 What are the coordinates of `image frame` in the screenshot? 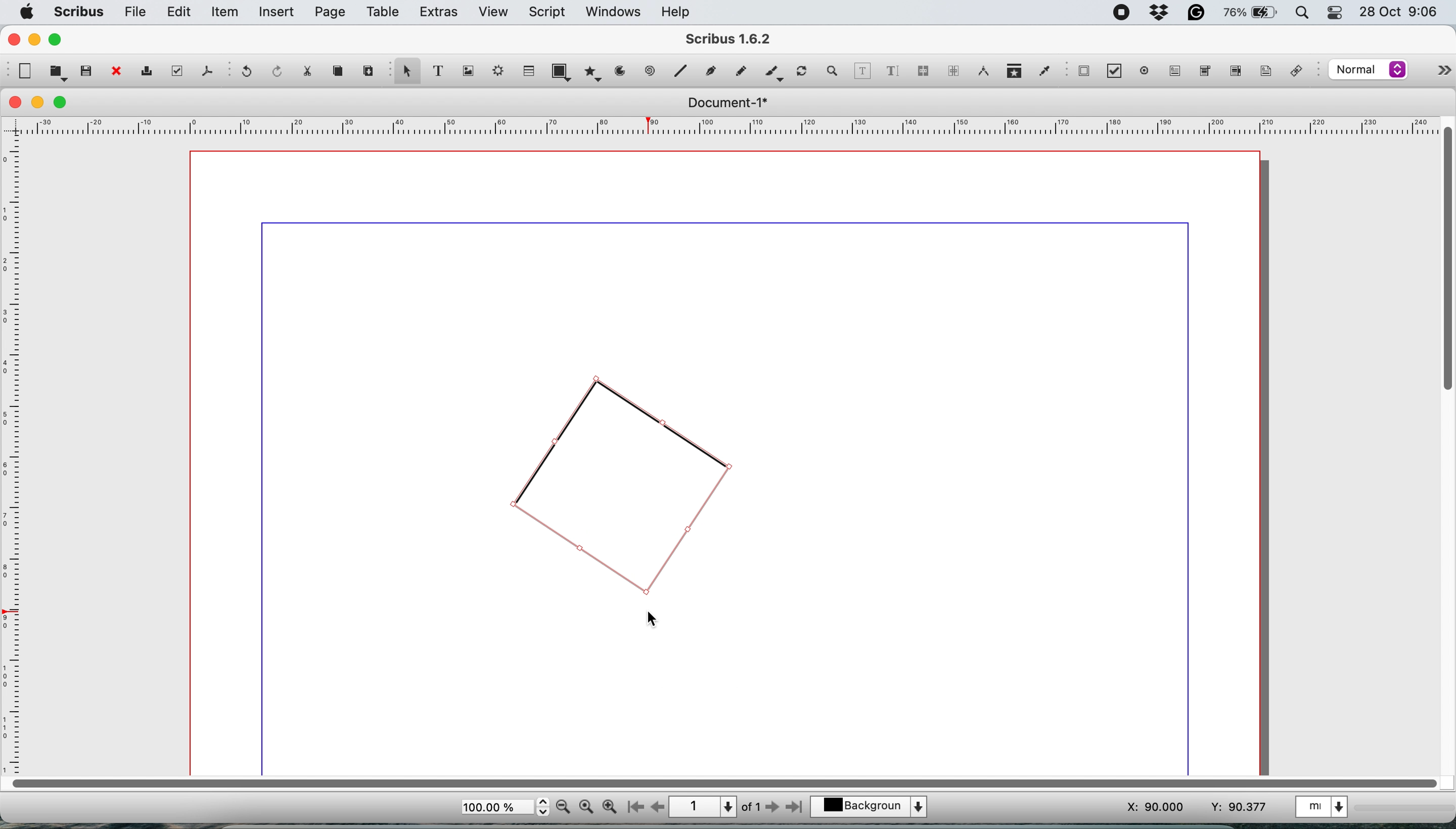 It's located at (471, 72).